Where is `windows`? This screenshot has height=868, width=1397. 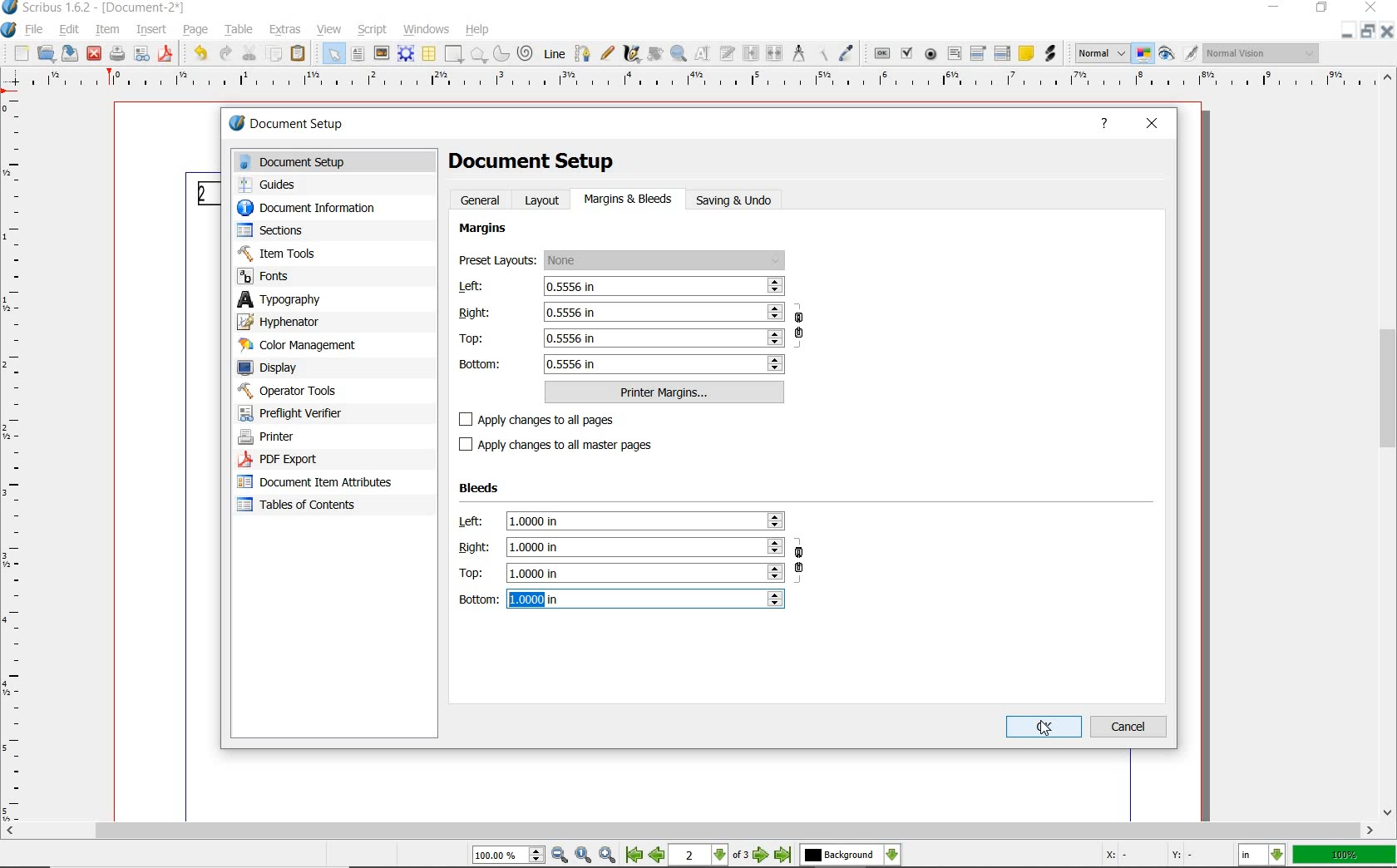
windows is located at coordinates (427, 28).